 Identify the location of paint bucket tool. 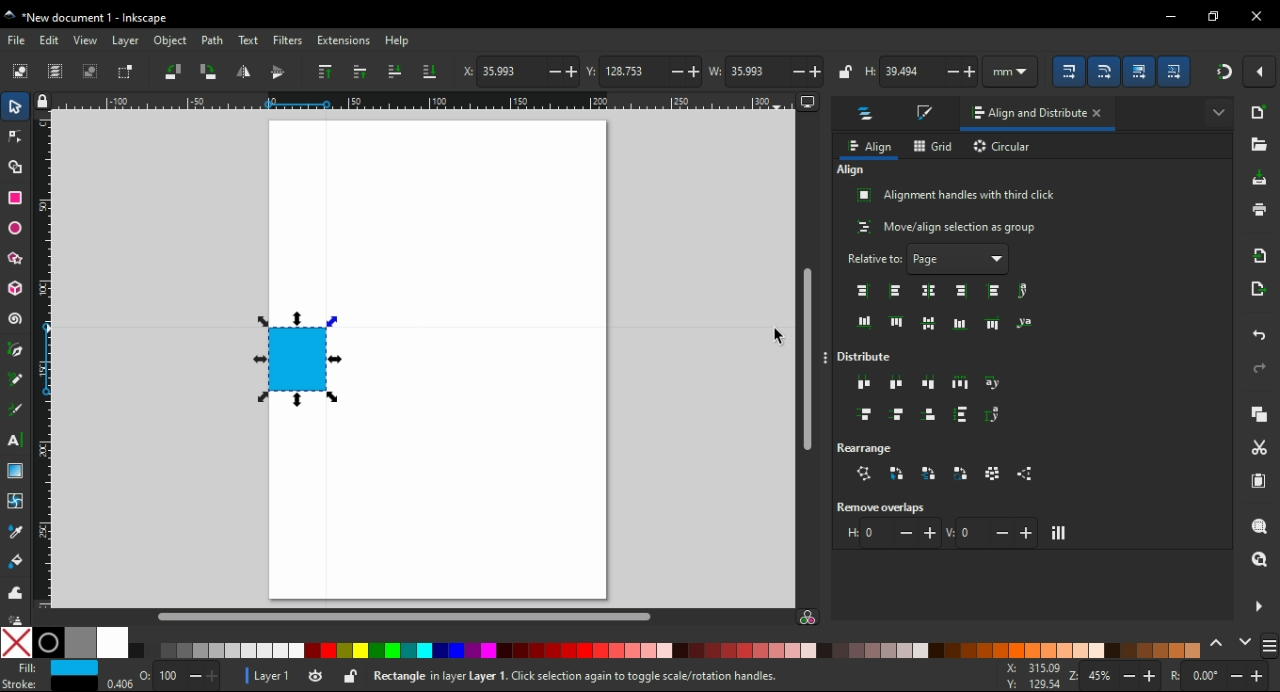
(16, 561).